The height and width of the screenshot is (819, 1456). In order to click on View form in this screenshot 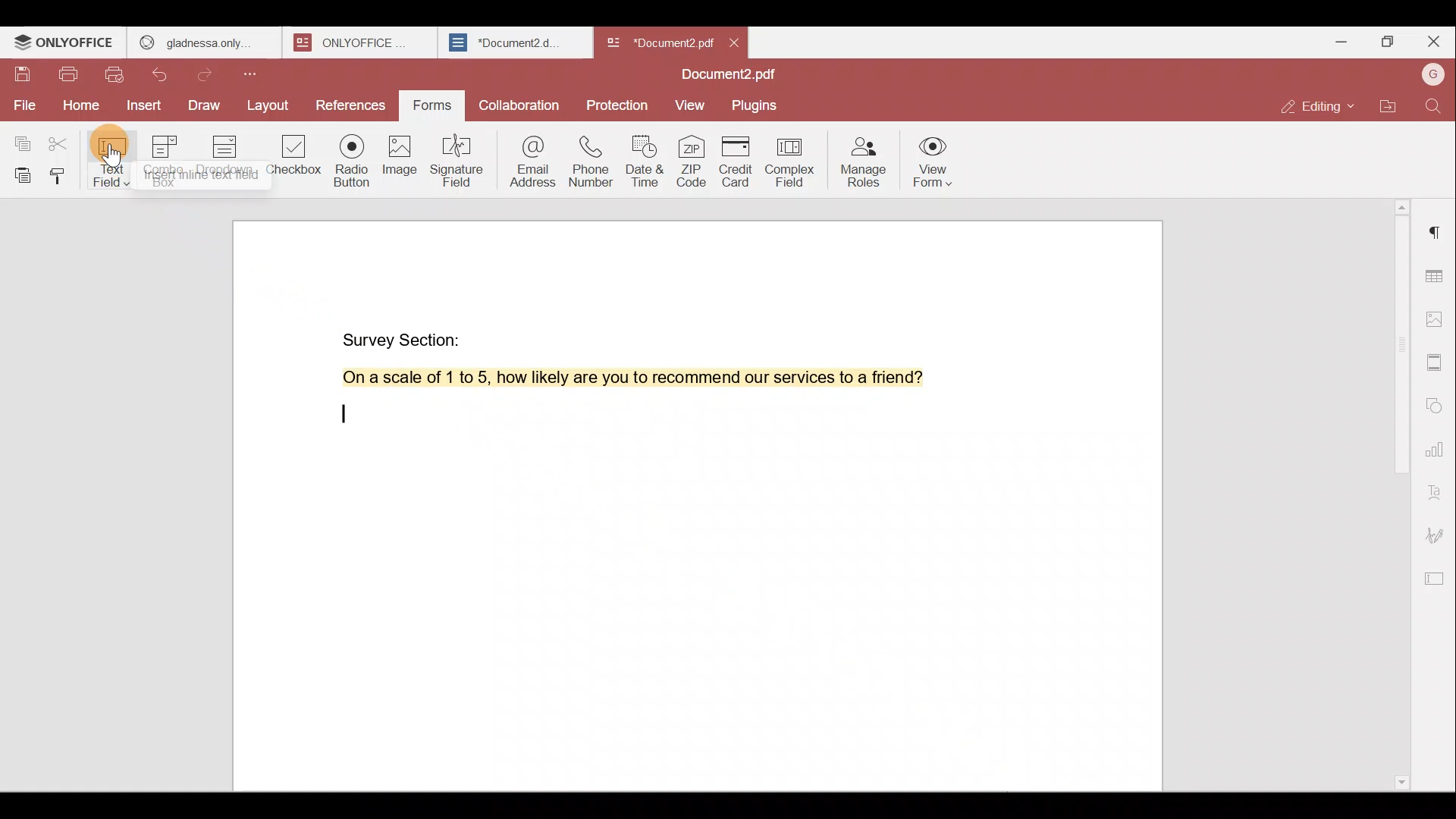, I will do `click(933, 164)`.